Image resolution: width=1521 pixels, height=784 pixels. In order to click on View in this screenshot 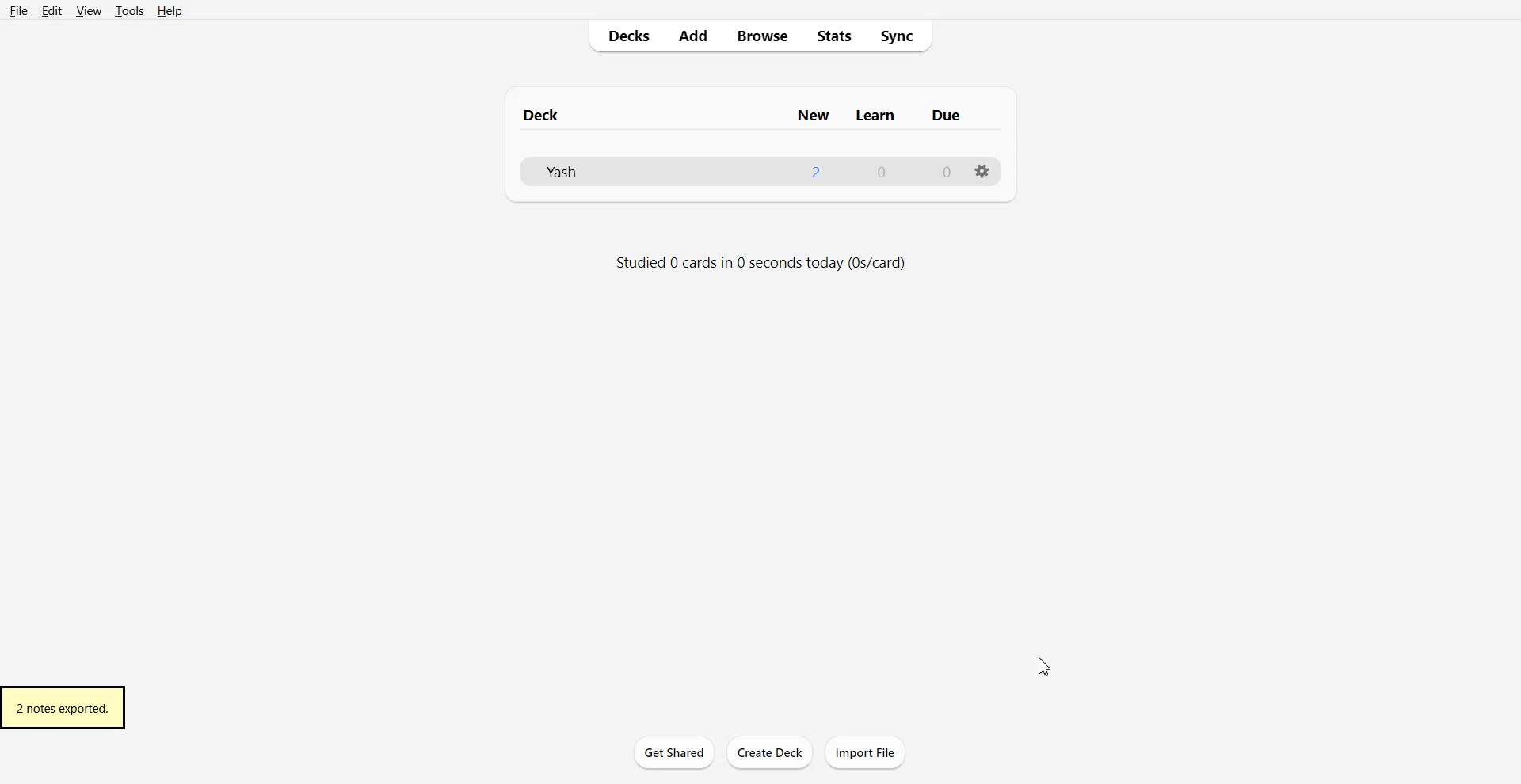, I will do `click(89, 12)`.